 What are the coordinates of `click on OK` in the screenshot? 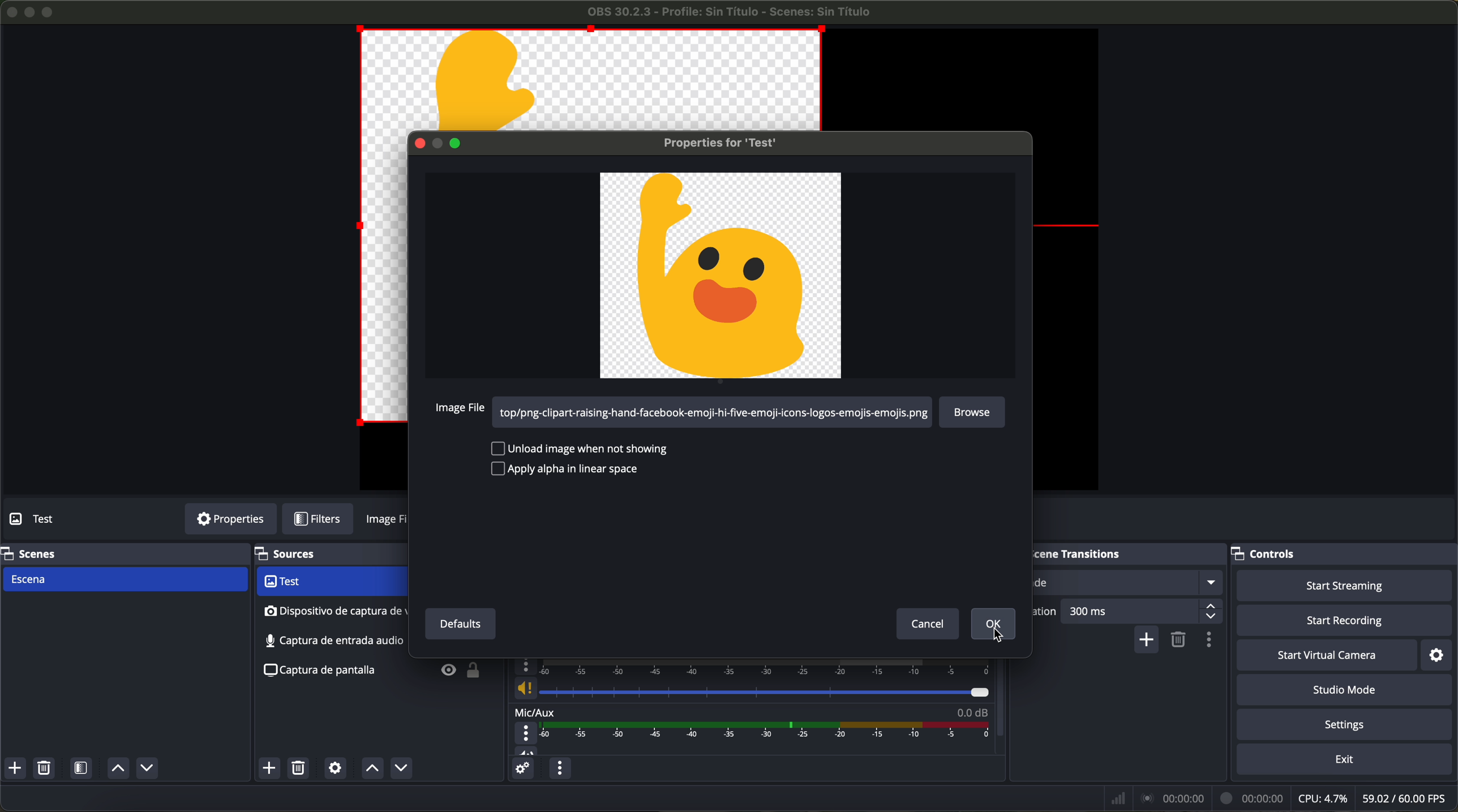 It's located at (994, 626).